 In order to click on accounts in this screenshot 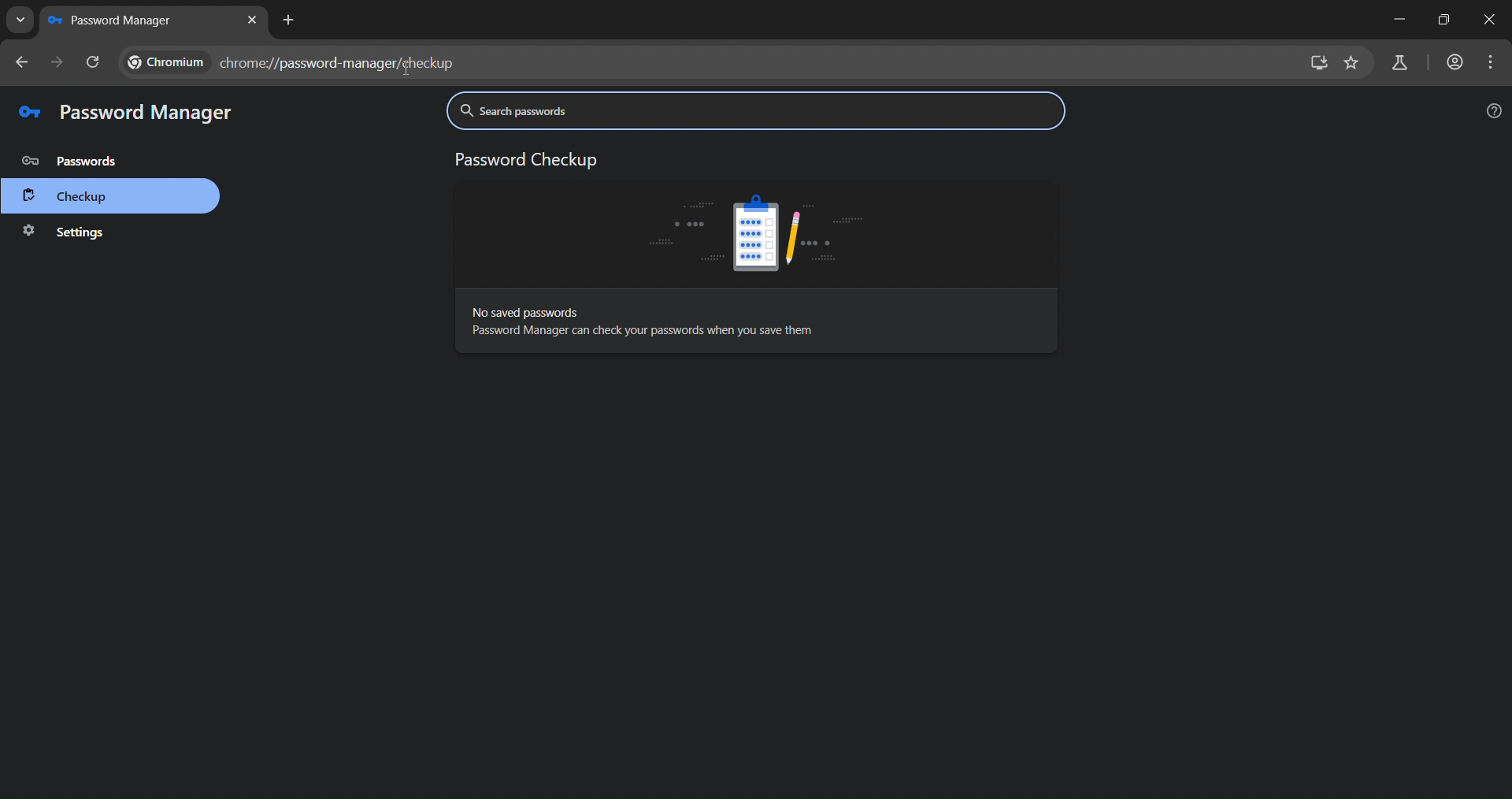, I will do `click(1455, 62)`.